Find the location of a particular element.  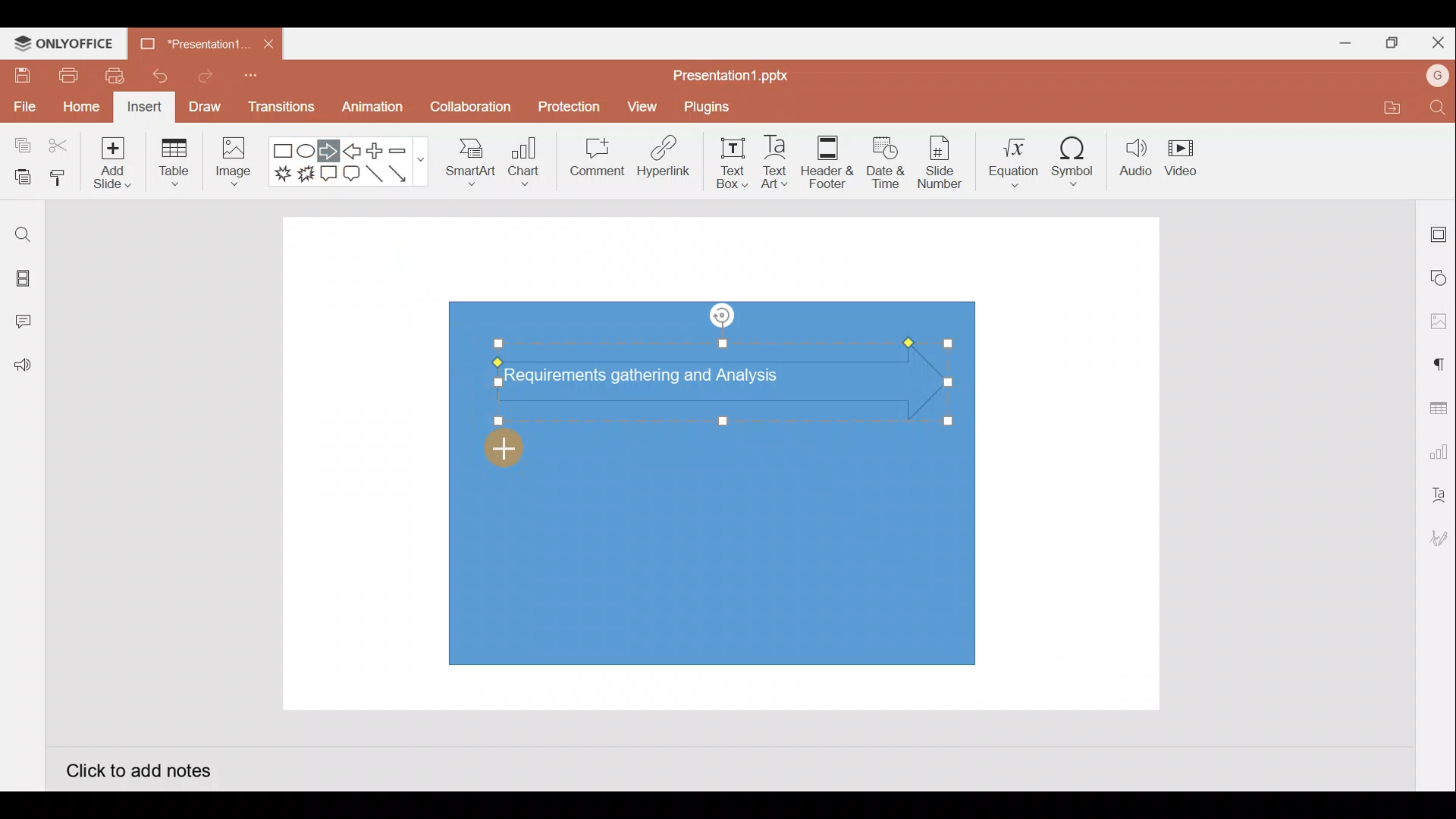

Add slide is located at coordinates (110, 159).